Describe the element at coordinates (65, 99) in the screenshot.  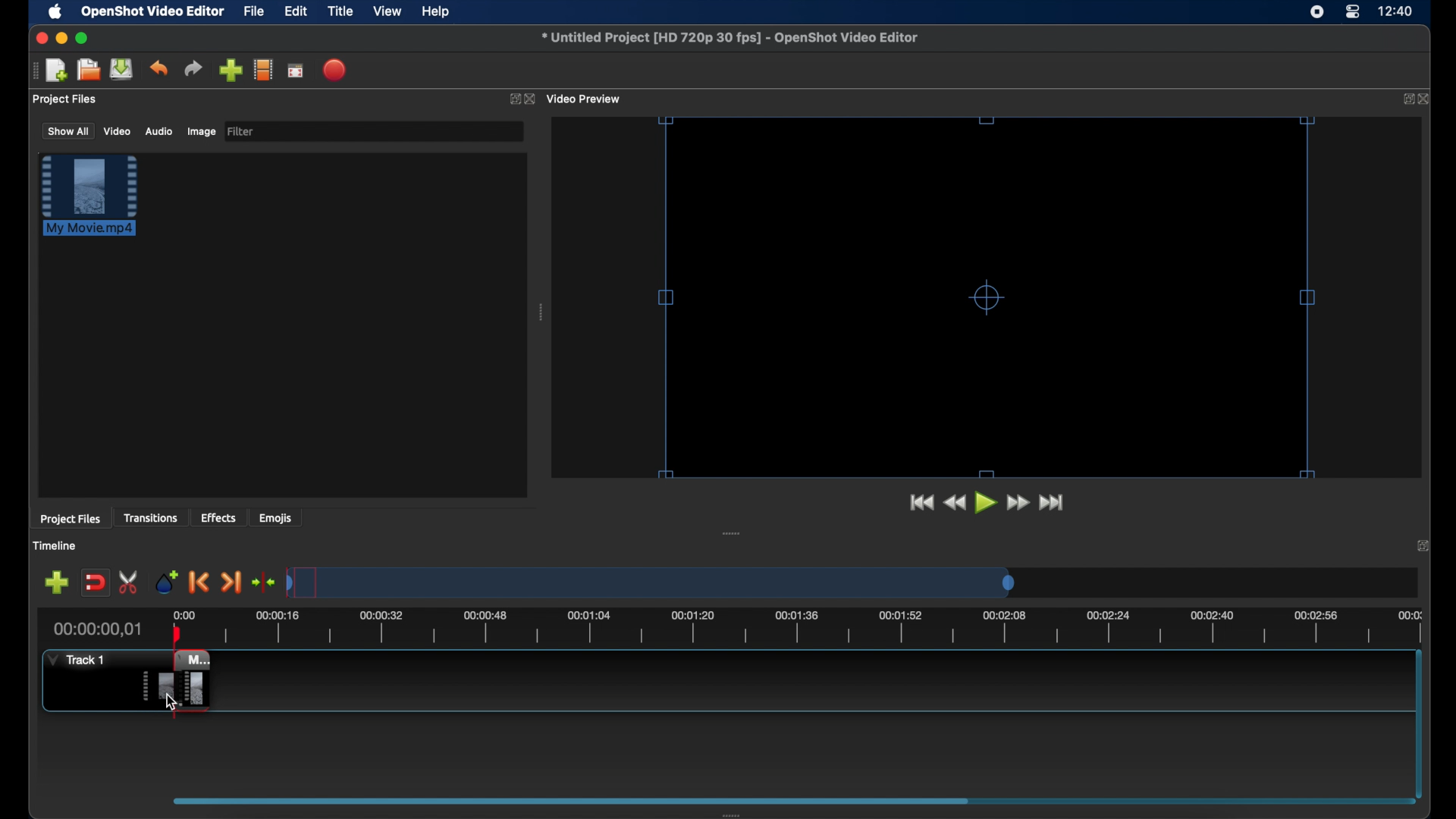
I see `project files` at that location.